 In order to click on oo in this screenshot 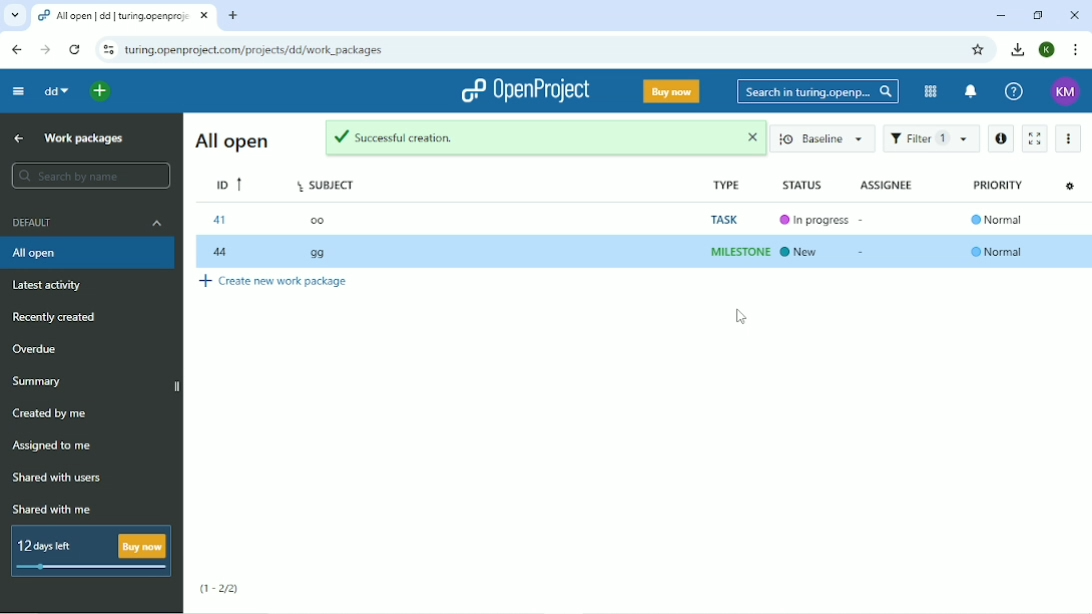, I will do `click(318, 222)`.